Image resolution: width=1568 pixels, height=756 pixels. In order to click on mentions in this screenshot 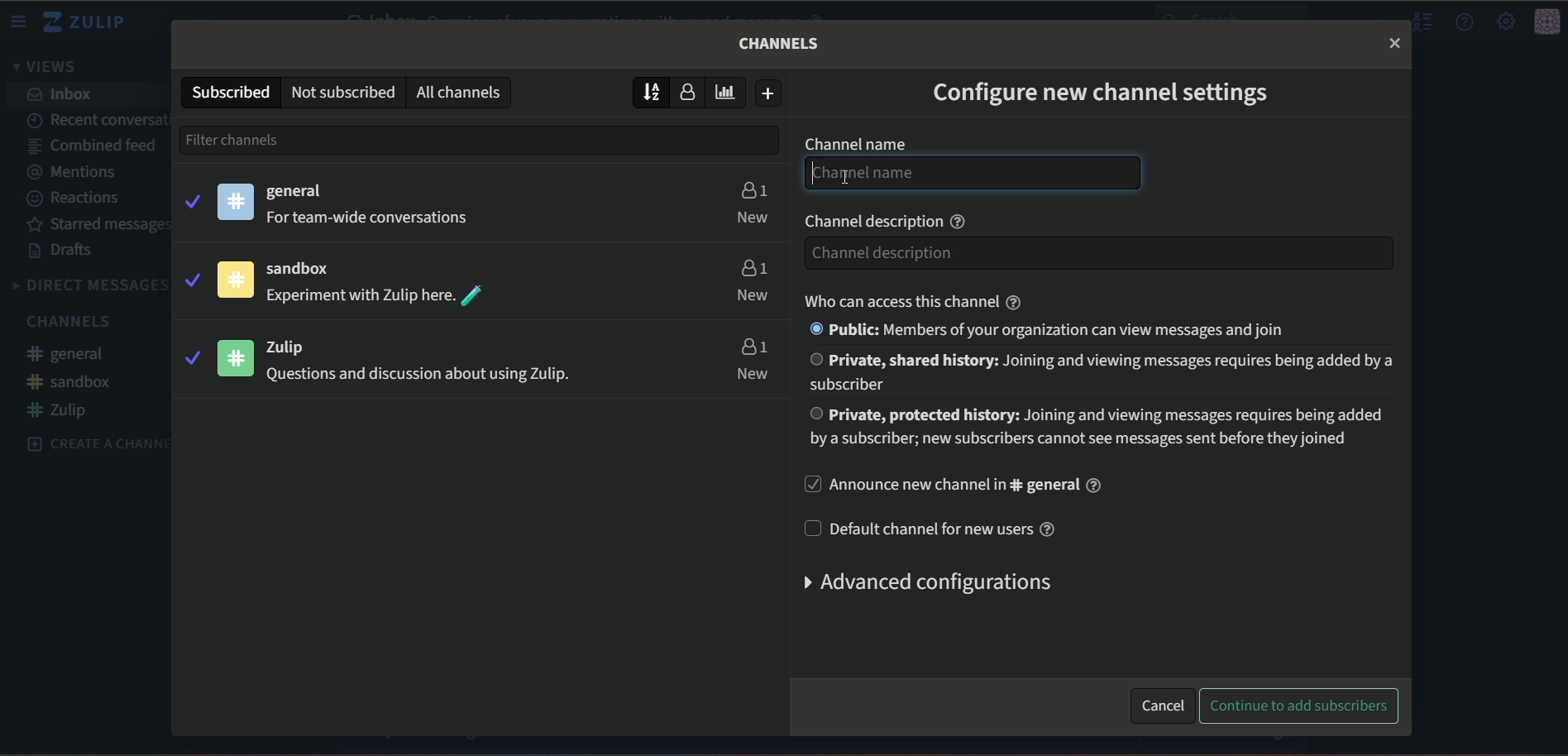, I will do `click(83, 170)`.